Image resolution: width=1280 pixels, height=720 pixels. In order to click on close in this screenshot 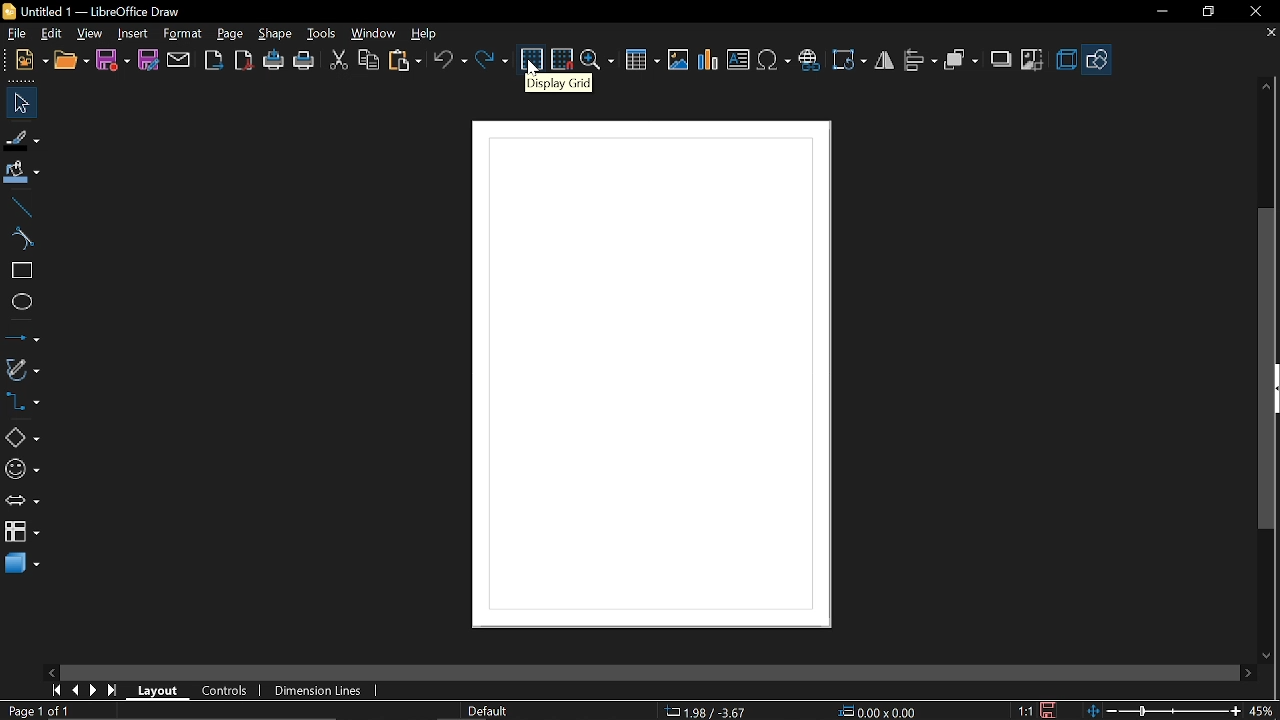, I will do `click(1255, 13)`.